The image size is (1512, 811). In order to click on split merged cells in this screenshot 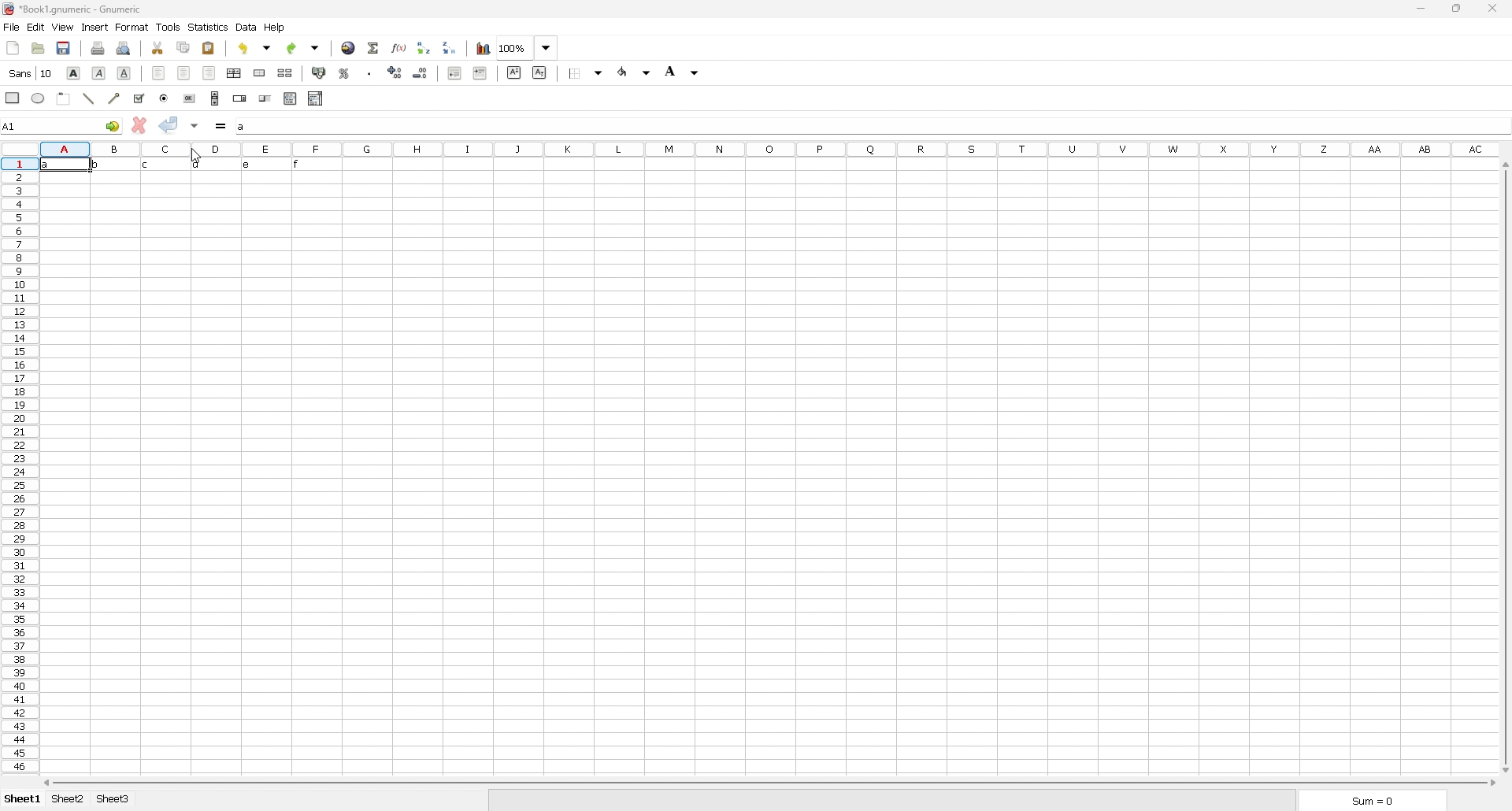, I will do `click(287, 73)`.